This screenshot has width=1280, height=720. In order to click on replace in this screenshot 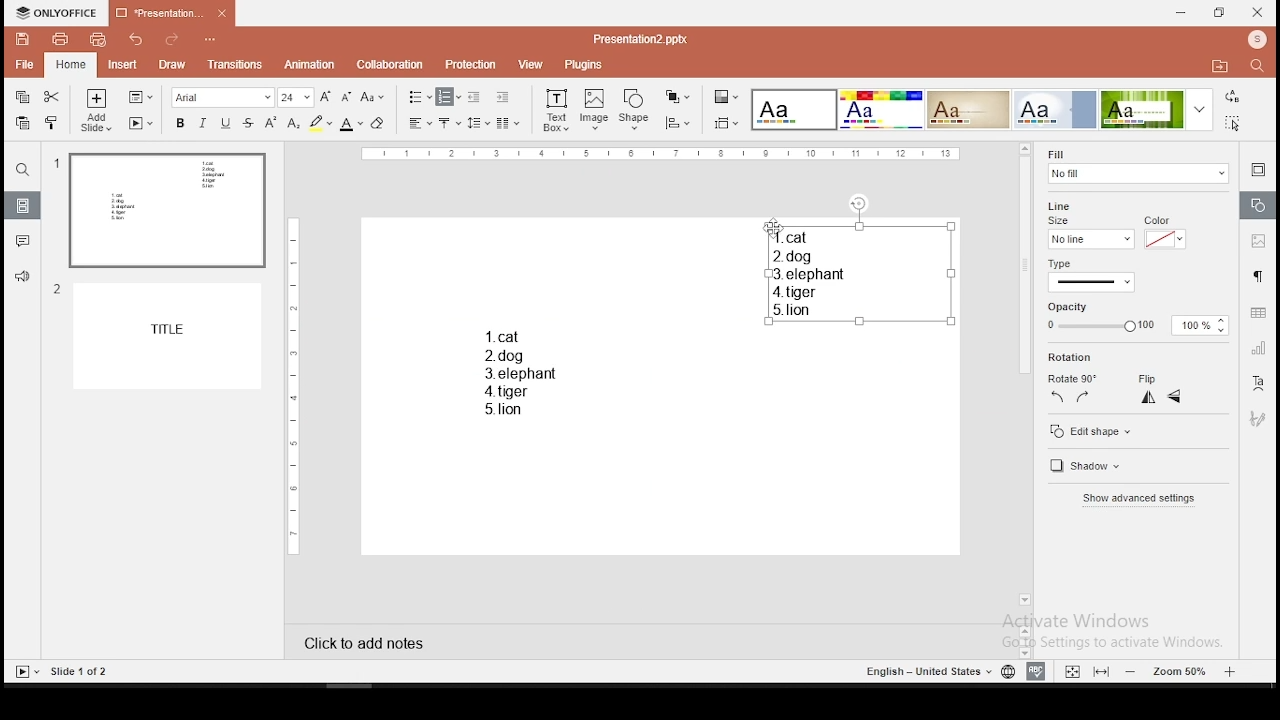, I will do `click(1233, 97)`.